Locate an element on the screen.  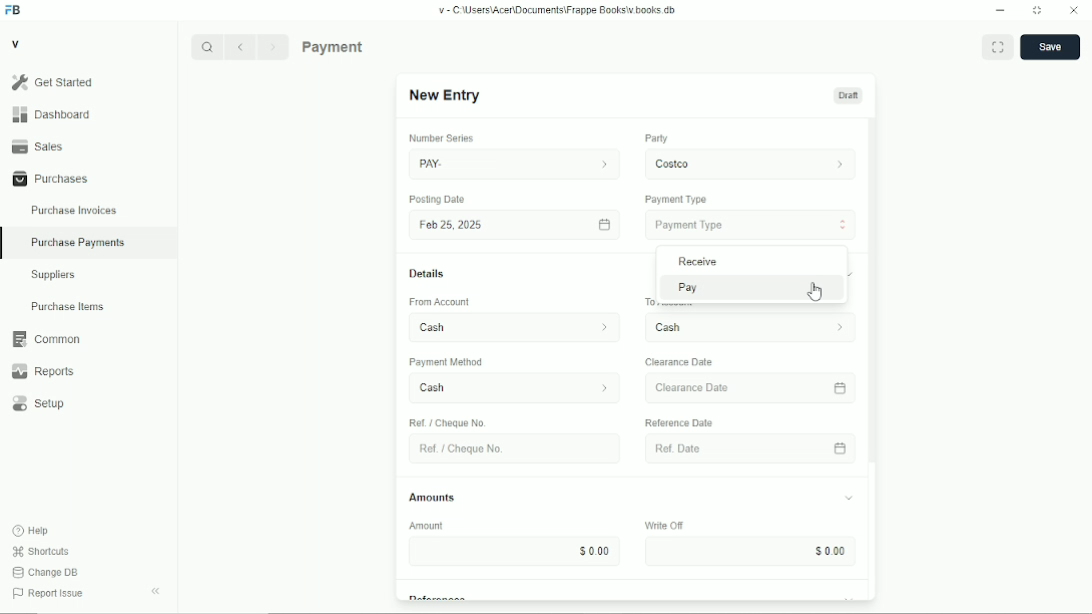
Receive is located at coordinates (749, 261).